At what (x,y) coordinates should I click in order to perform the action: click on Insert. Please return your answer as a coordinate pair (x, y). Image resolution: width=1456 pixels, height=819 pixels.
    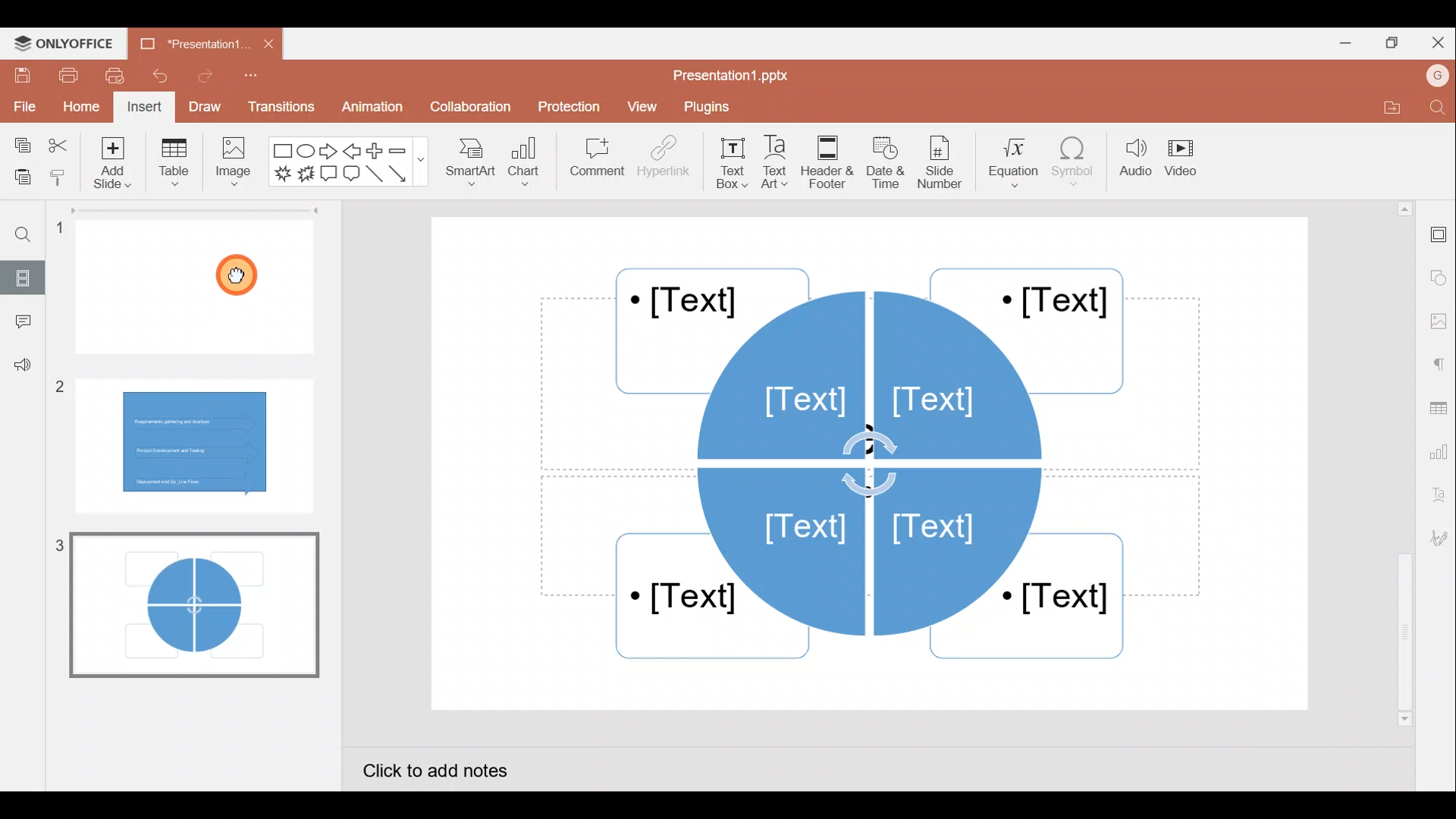
    Looking at the image, I should click on (144, 106).